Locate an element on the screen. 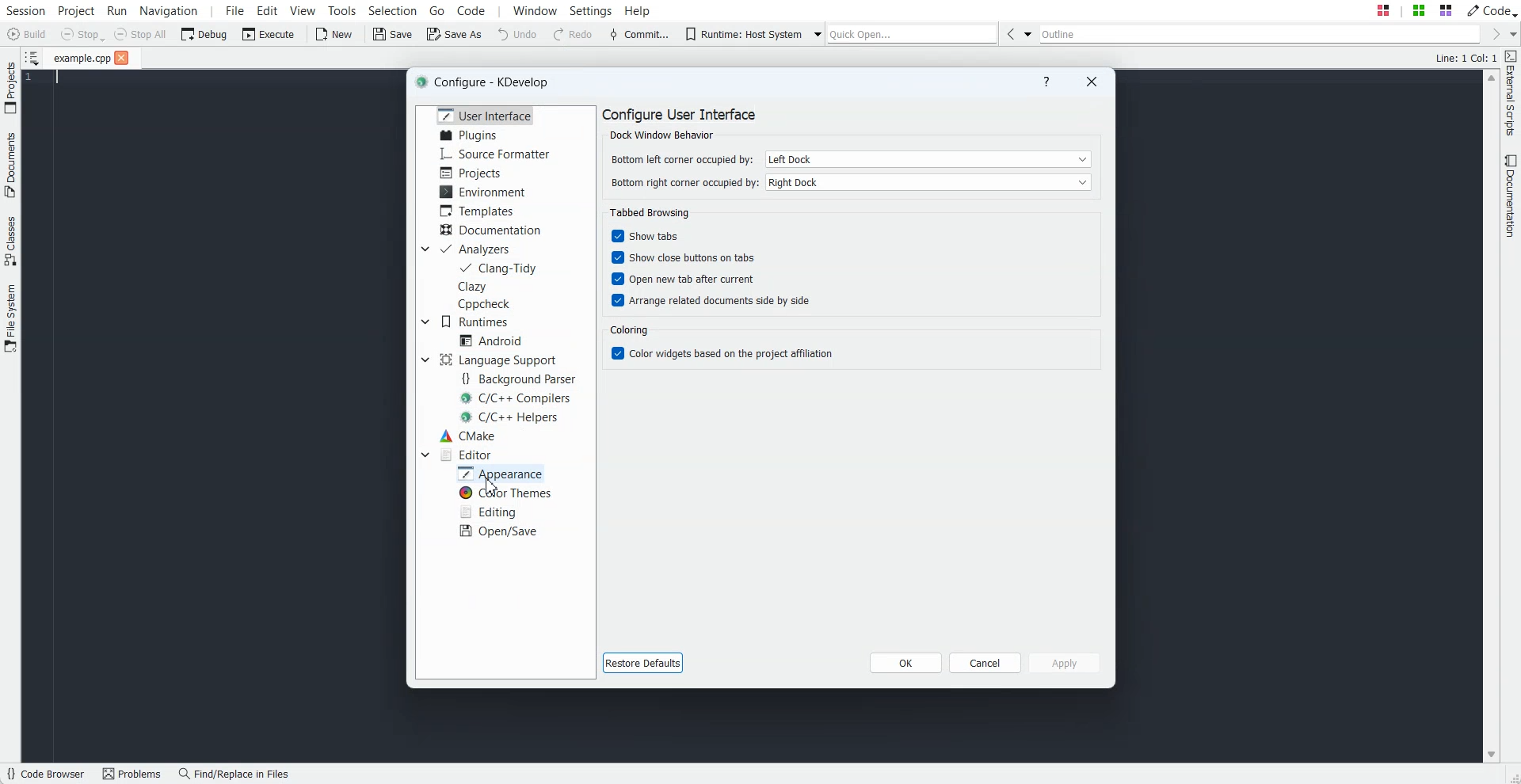  Save is located at coordinates (391, 33).